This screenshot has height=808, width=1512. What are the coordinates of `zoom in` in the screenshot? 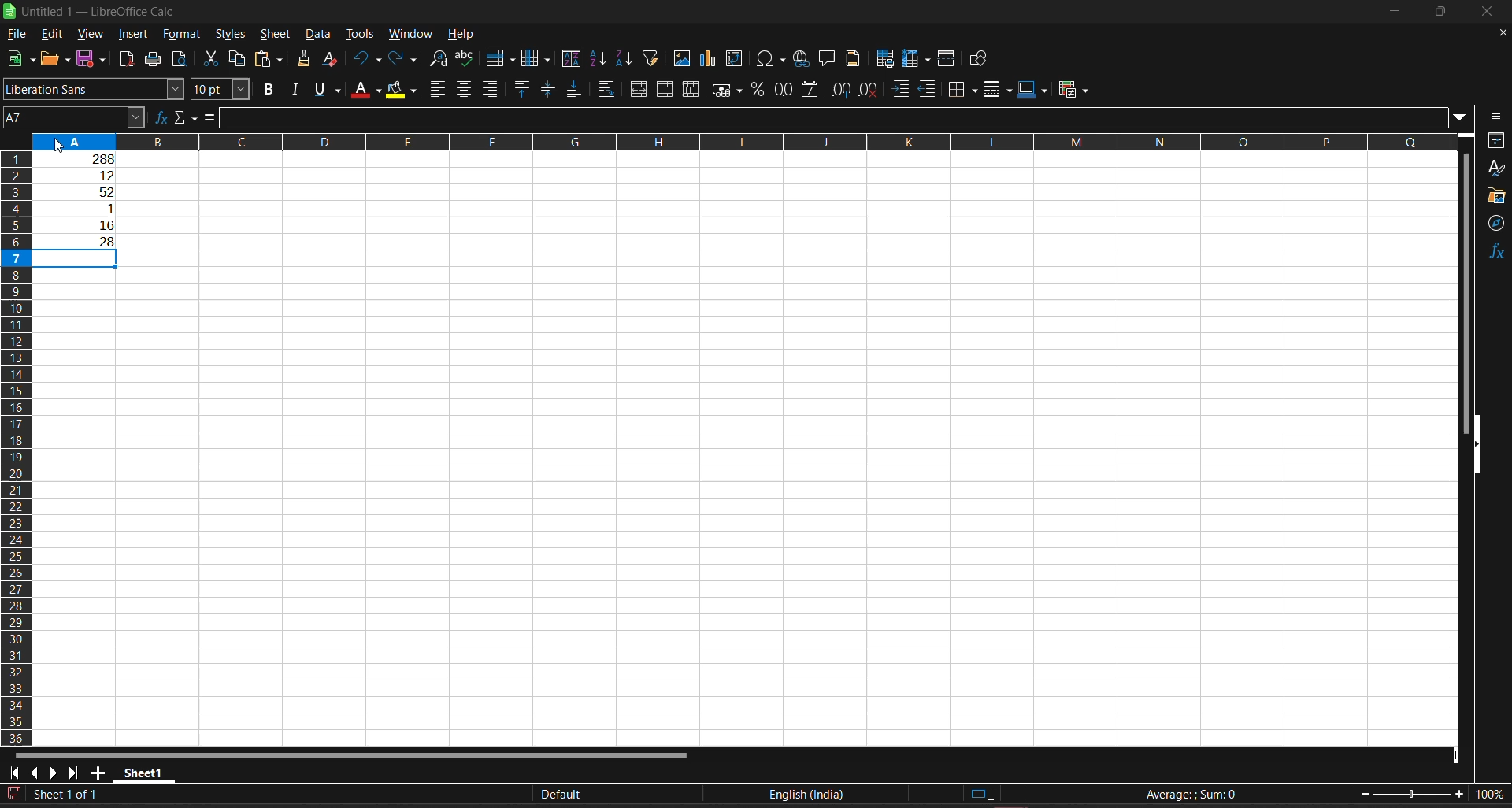 It's located at (1464, 795).